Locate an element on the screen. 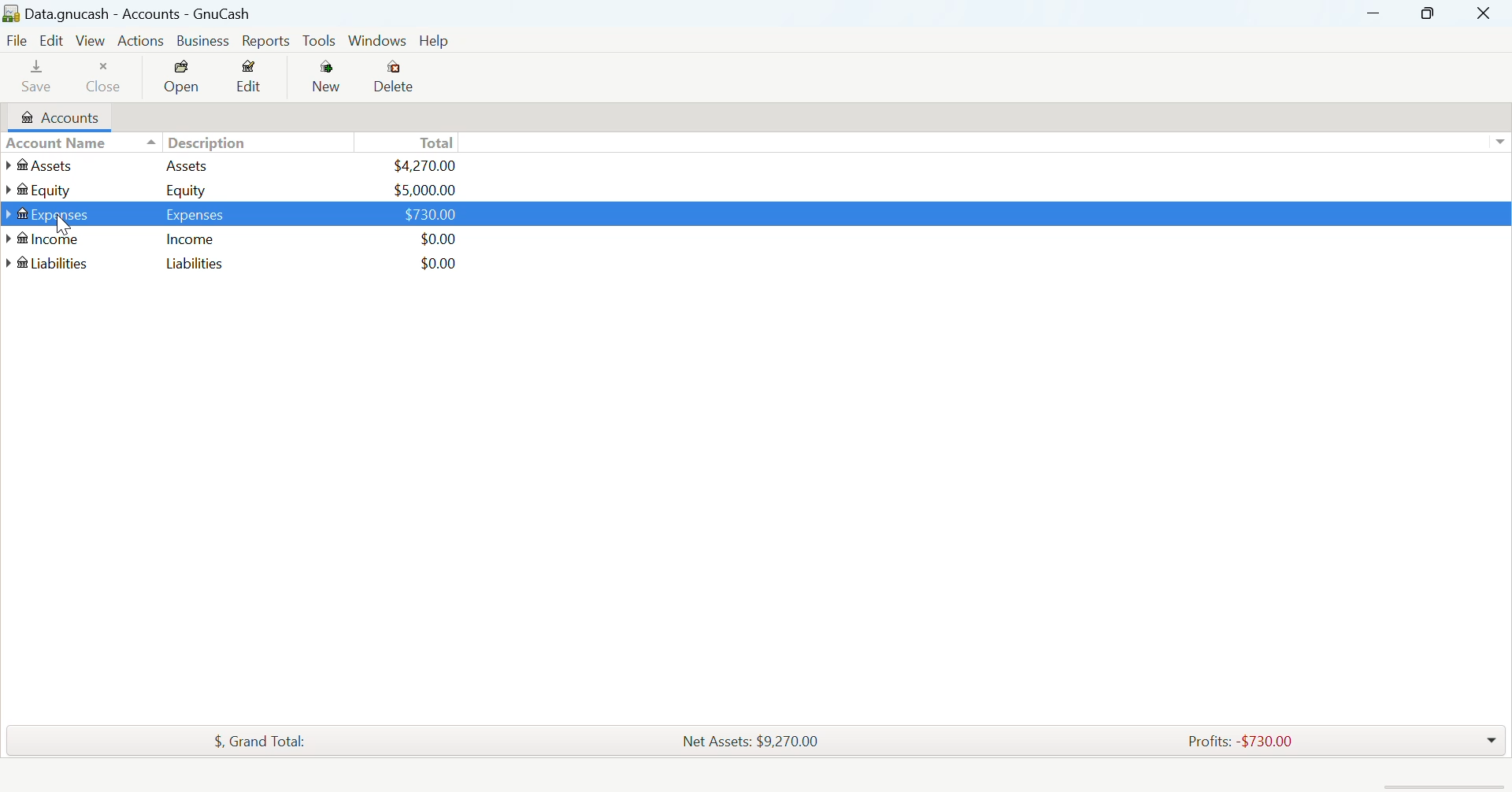 The width and height of the screenshot is (1512, 792). Accounts Tab Open is located at coordinates (57, 120).